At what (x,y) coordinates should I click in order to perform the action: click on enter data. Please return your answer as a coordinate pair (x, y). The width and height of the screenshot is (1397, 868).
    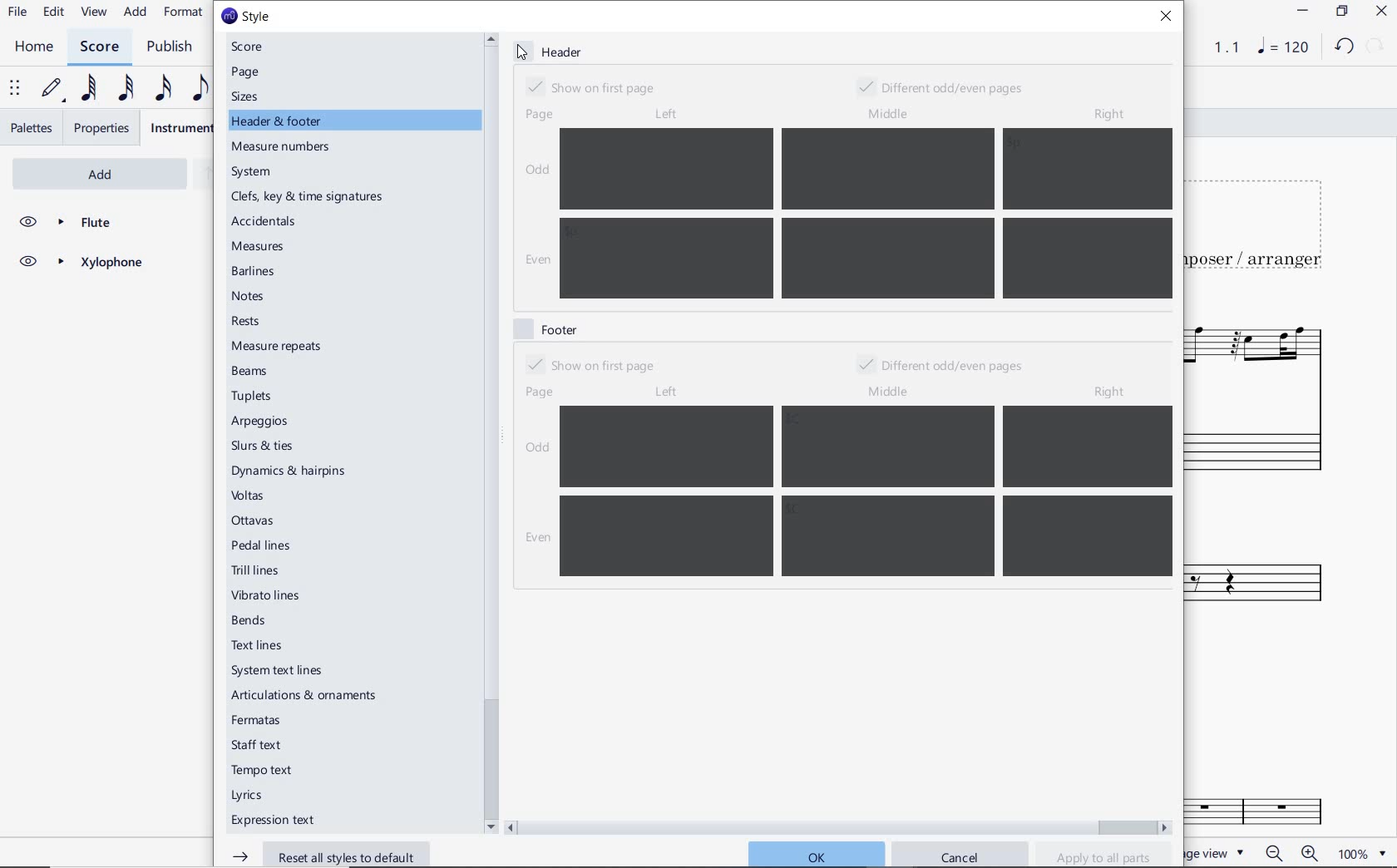
    Looking at the image, I should click on (868, 492).